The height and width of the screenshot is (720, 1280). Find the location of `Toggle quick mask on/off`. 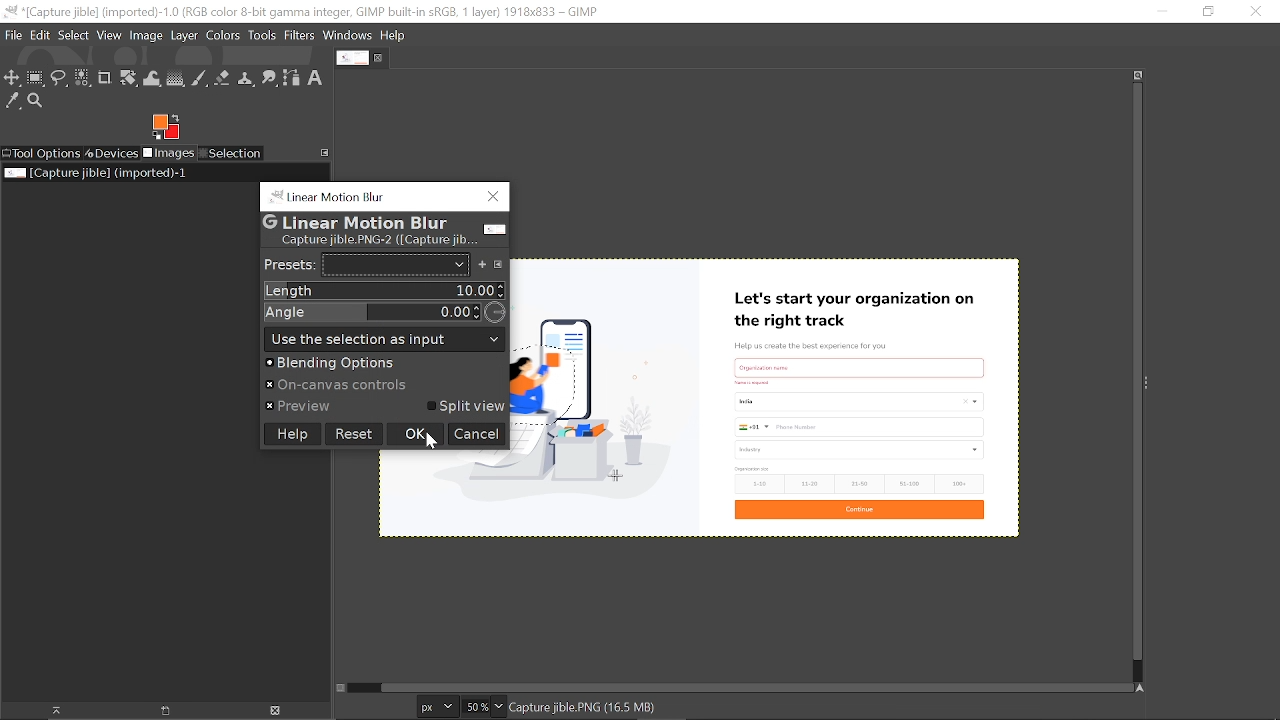

Toggle quick mask on/off is located at coordinates (339, 688).